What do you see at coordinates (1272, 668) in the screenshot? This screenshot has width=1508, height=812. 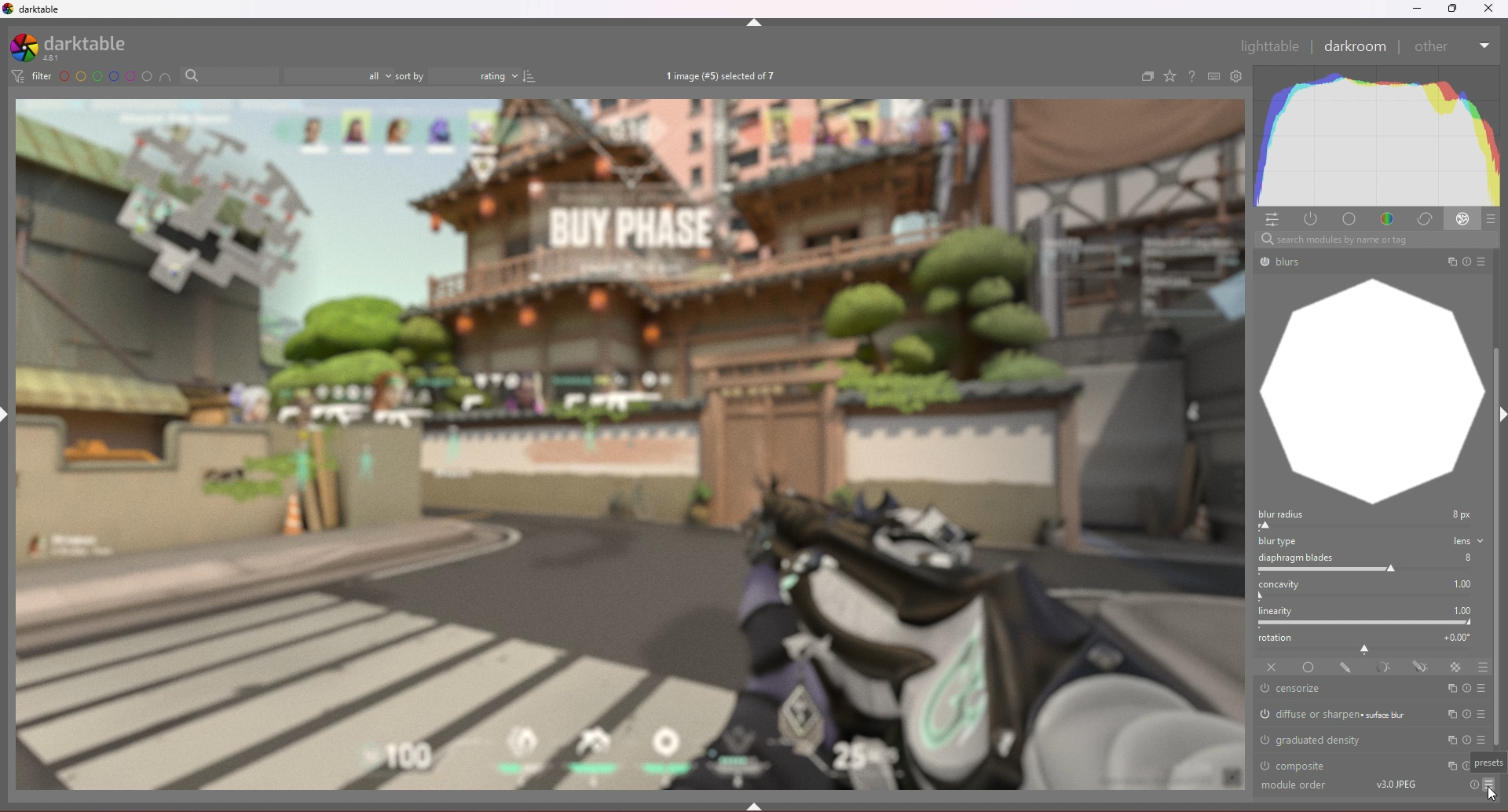 I see `off` at bounding box center [1272, 668].